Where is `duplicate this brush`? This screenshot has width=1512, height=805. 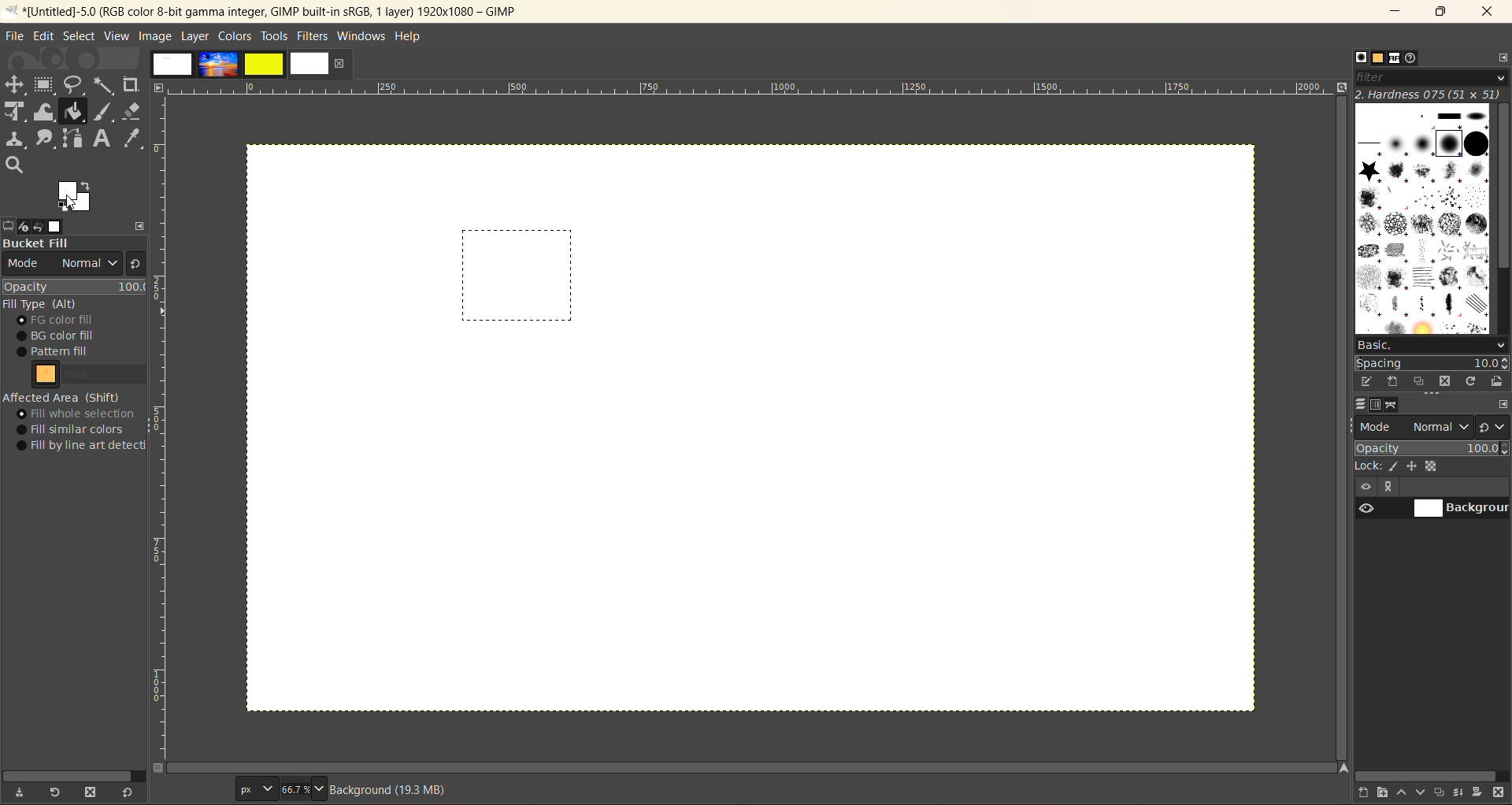
duplicate this brush is located at coordinates (1421, 381).